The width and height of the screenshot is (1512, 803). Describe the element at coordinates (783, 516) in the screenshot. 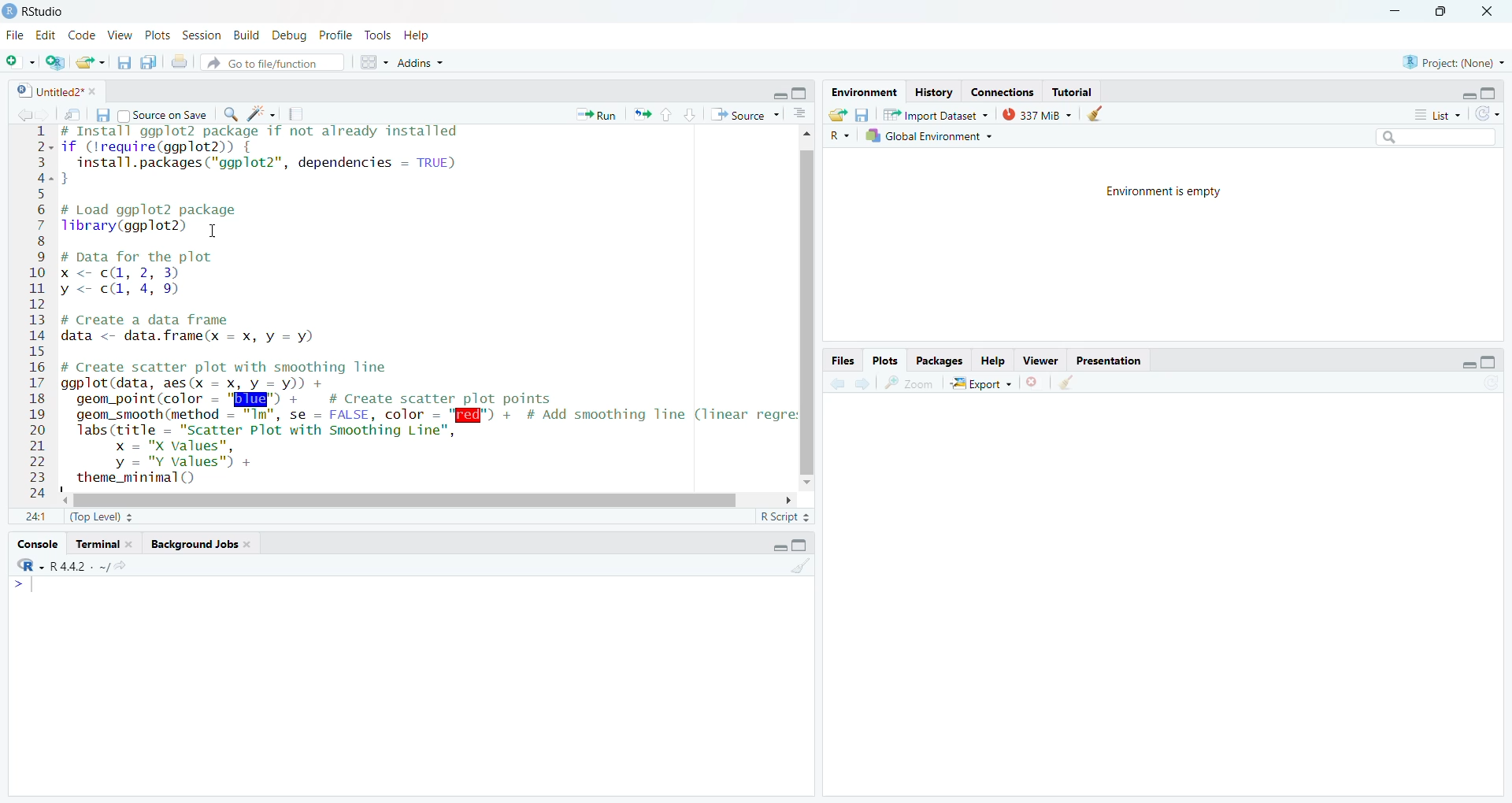

I see `R Script =` at that location.